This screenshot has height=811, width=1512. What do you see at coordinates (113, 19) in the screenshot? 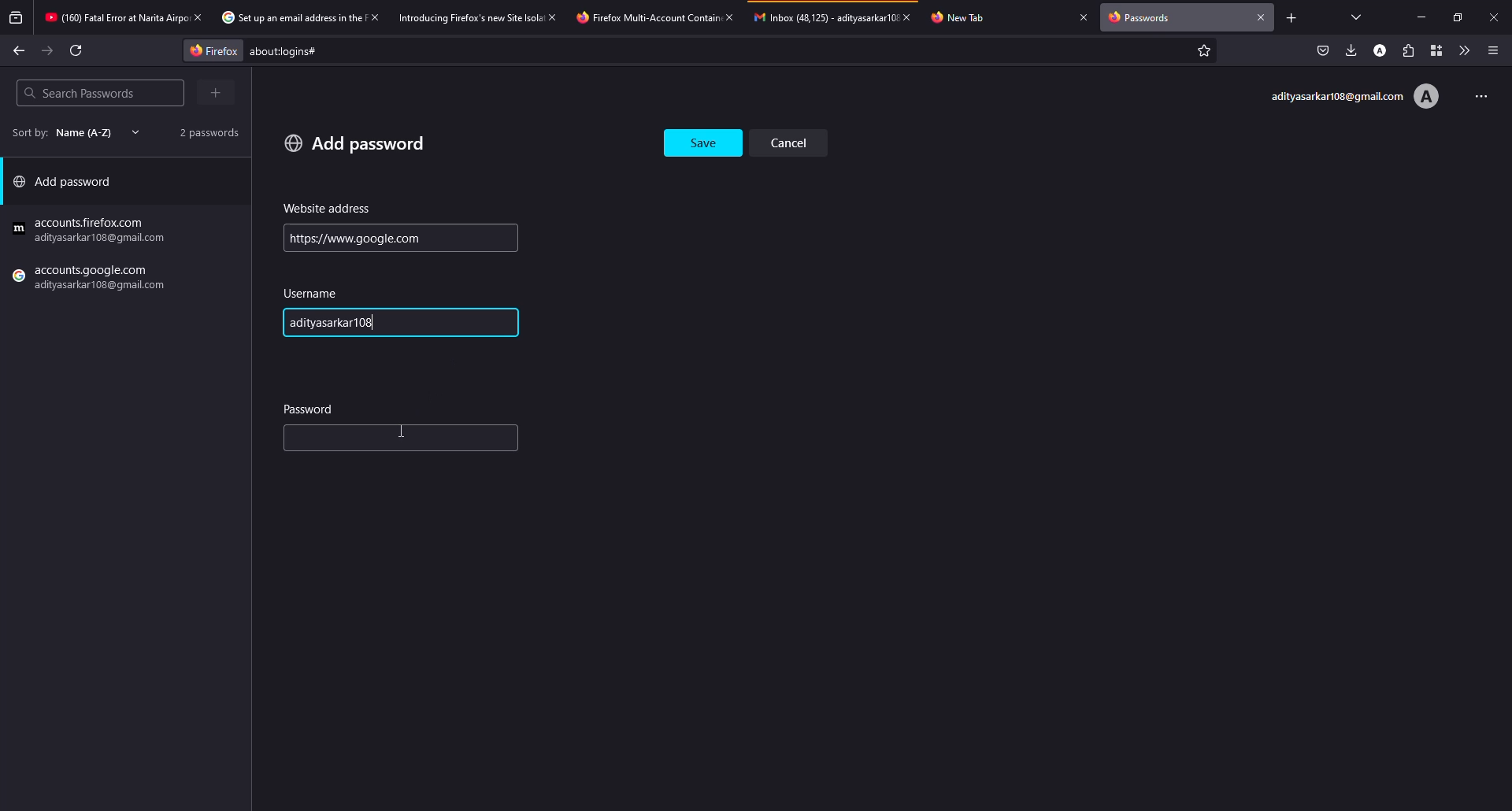
I see `tab` at bounding box center [113, 19].